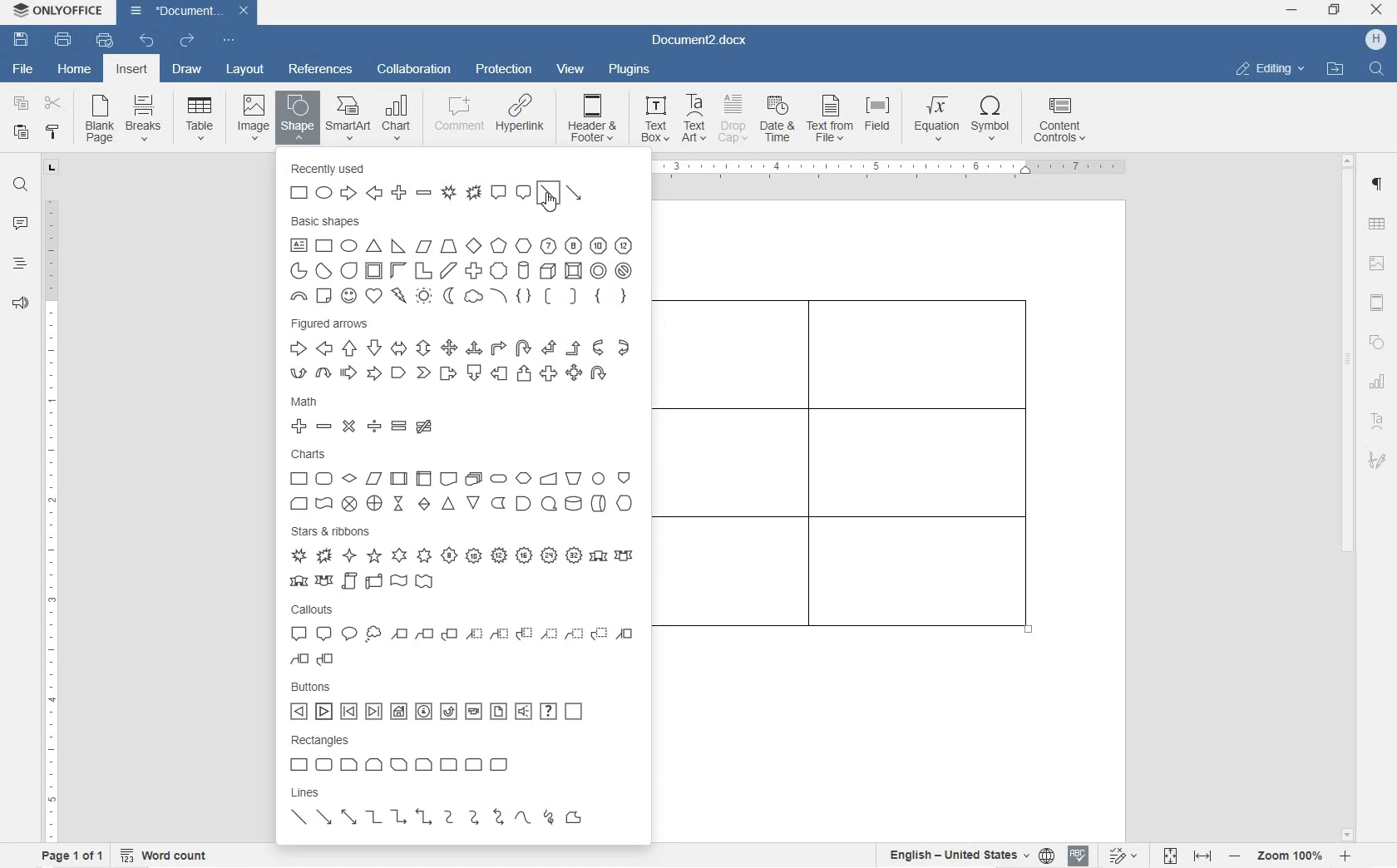 This screenshot has width=1397, height=868. Describe the element at coordinates (463, 558) in the screenshot. I see `stars & ribbons` at that location.